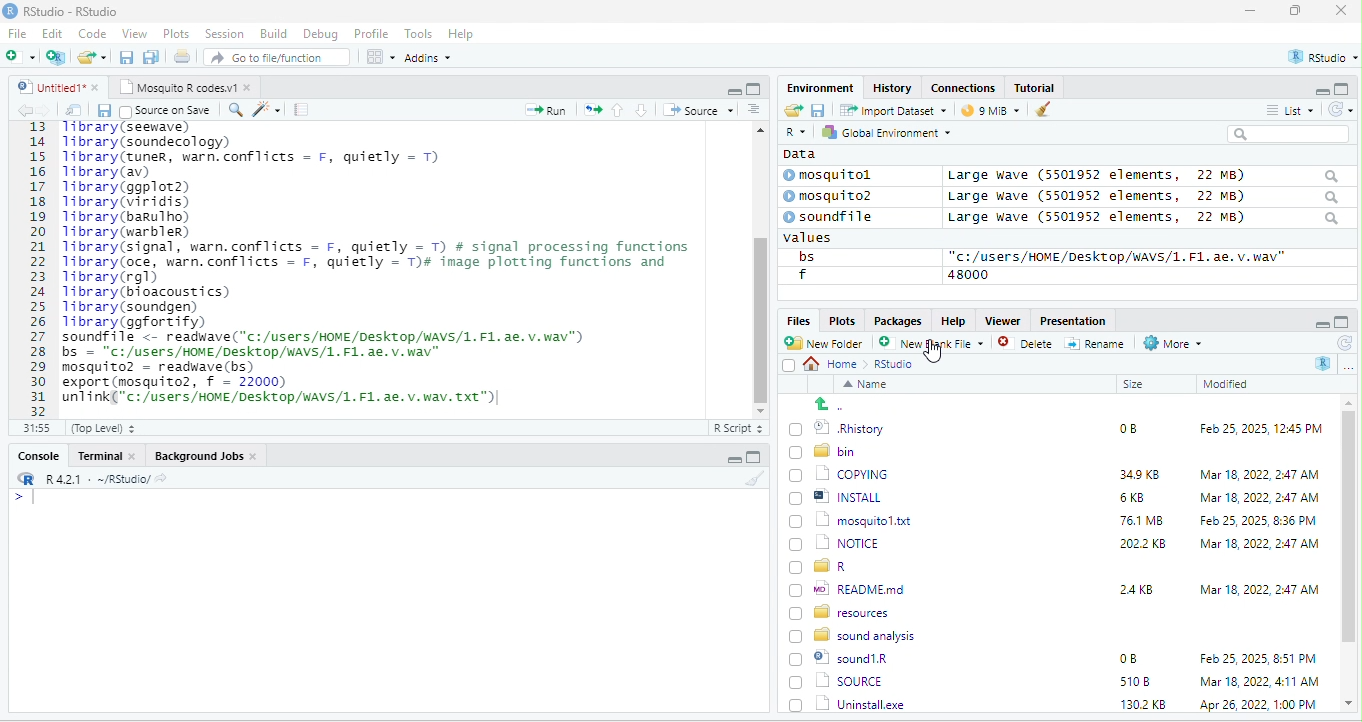 Image resolution: width=1362 pixels, height=722 pixels. What do you see at coordinates (852, 588) in the screenshot?
I see `wo| READMEmd` at bounding box center [852, 588].